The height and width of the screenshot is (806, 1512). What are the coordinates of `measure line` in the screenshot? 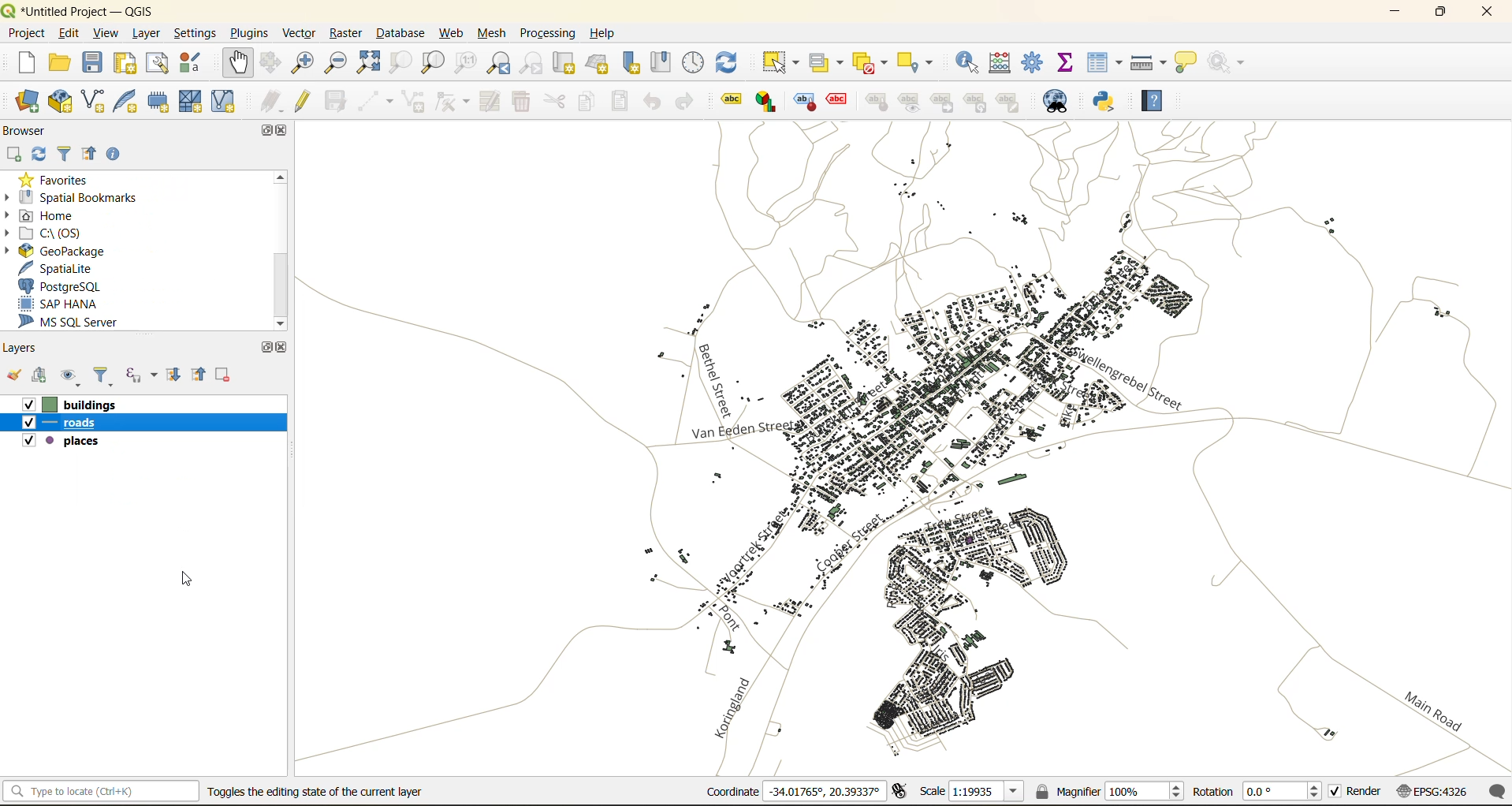 It's located at (1149, 62).